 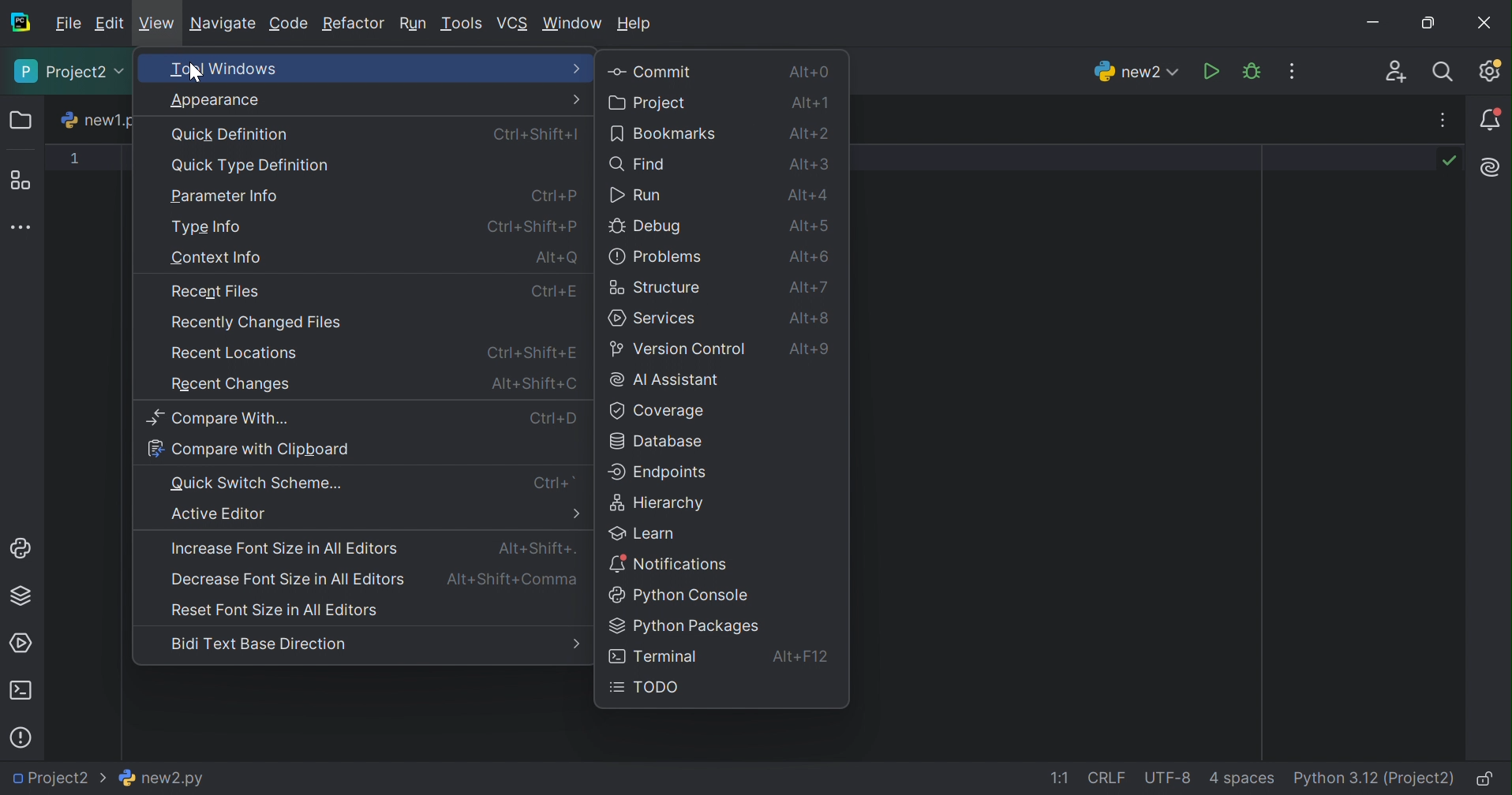 What do you see at coordinates (811, 132) in the screenshot?
I see `Alt+2` at bounding box center [811, 132].